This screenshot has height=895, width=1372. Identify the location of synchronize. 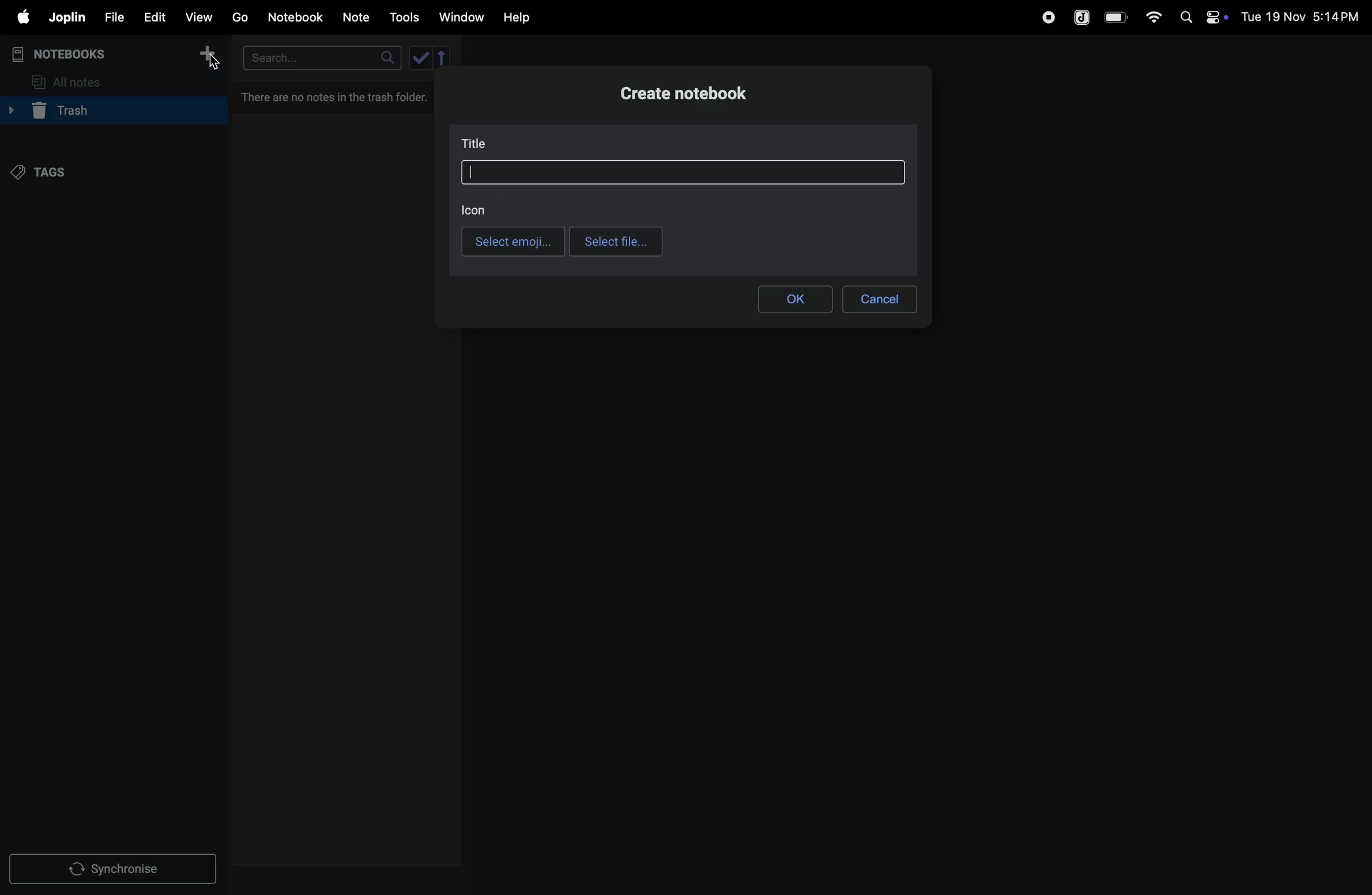
(114, 867).